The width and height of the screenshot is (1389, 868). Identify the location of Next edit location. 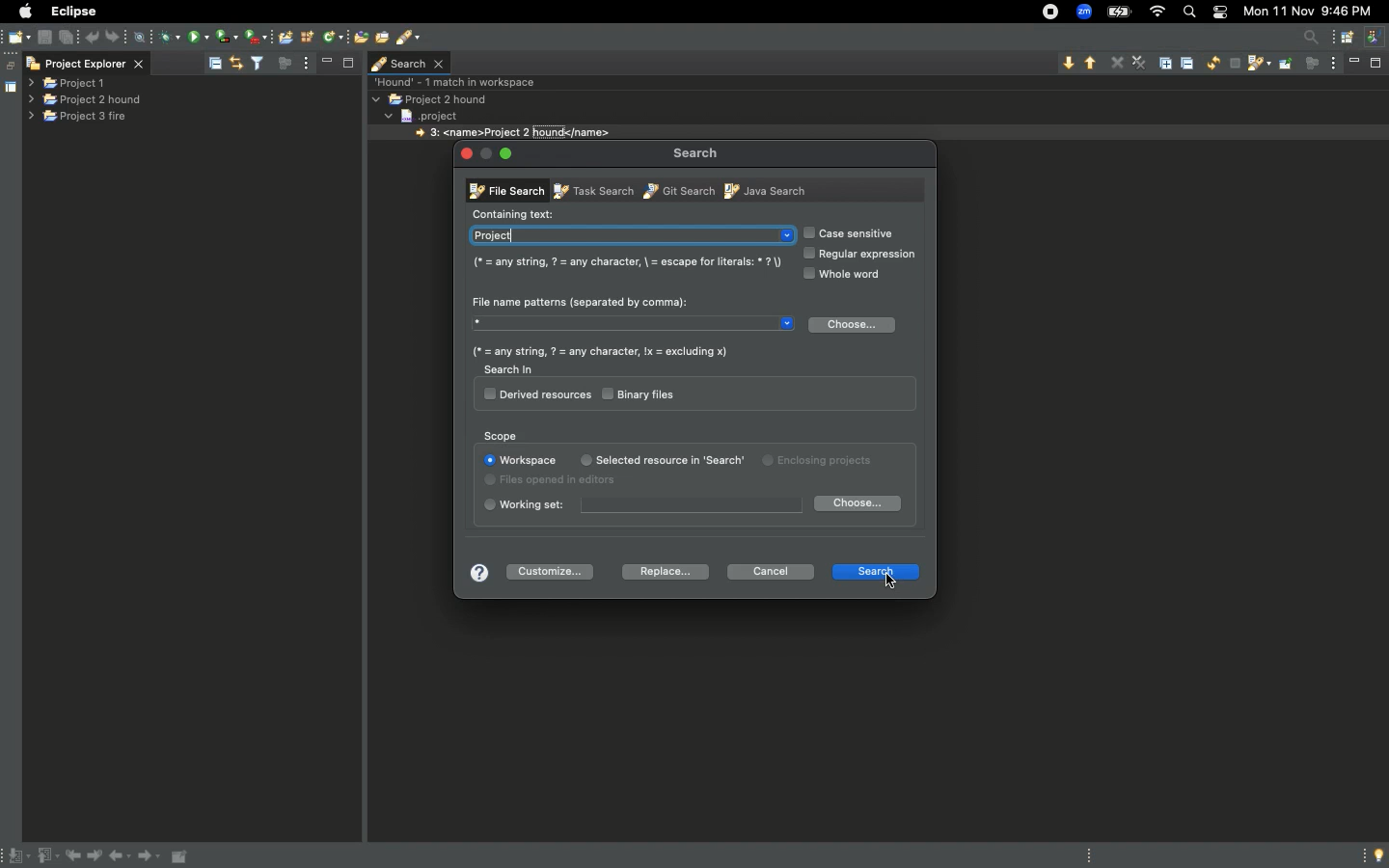
(96, 856).